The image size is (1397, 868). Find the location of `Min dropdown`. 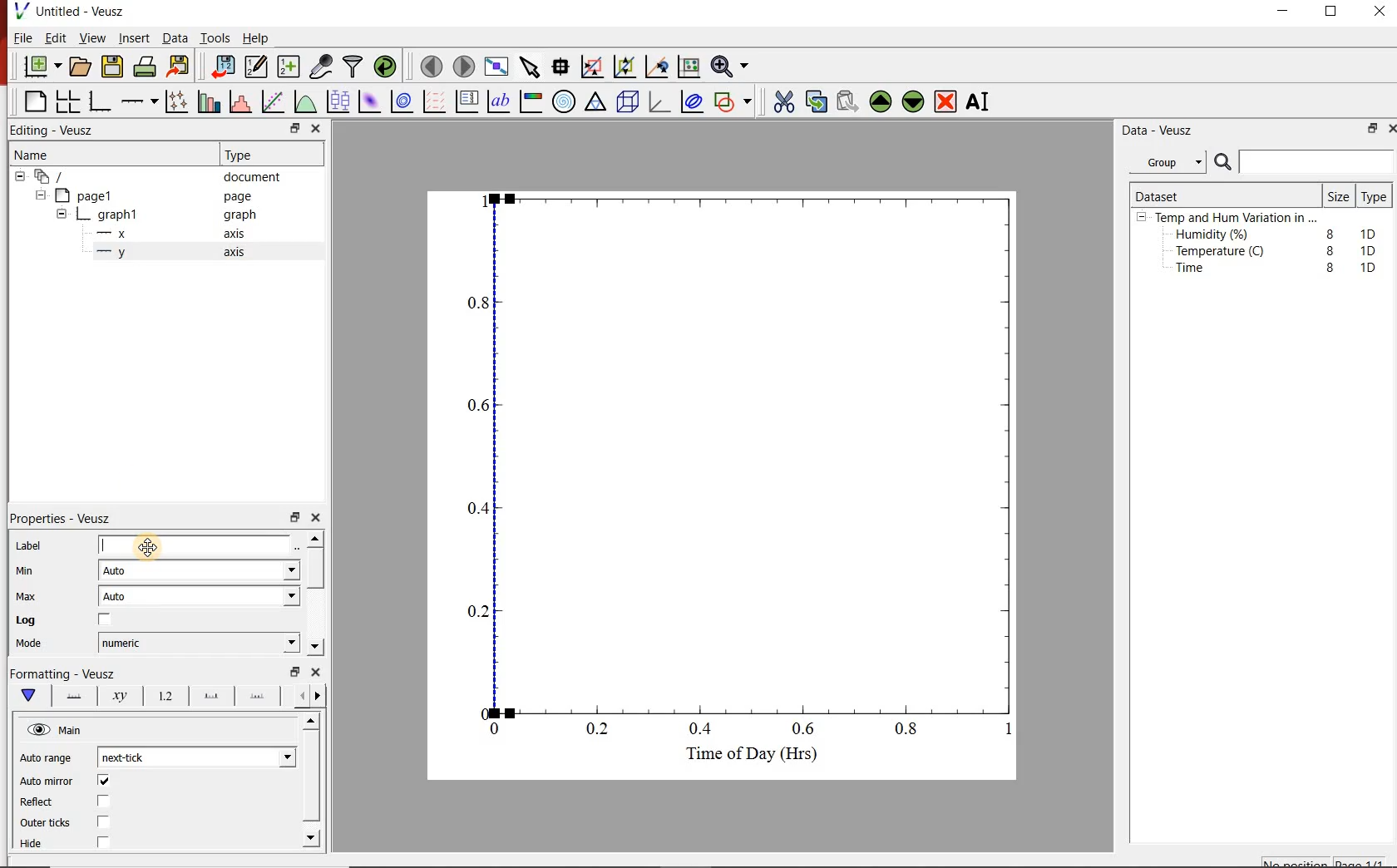

Min dropdown is located at coordinates (273, 572).